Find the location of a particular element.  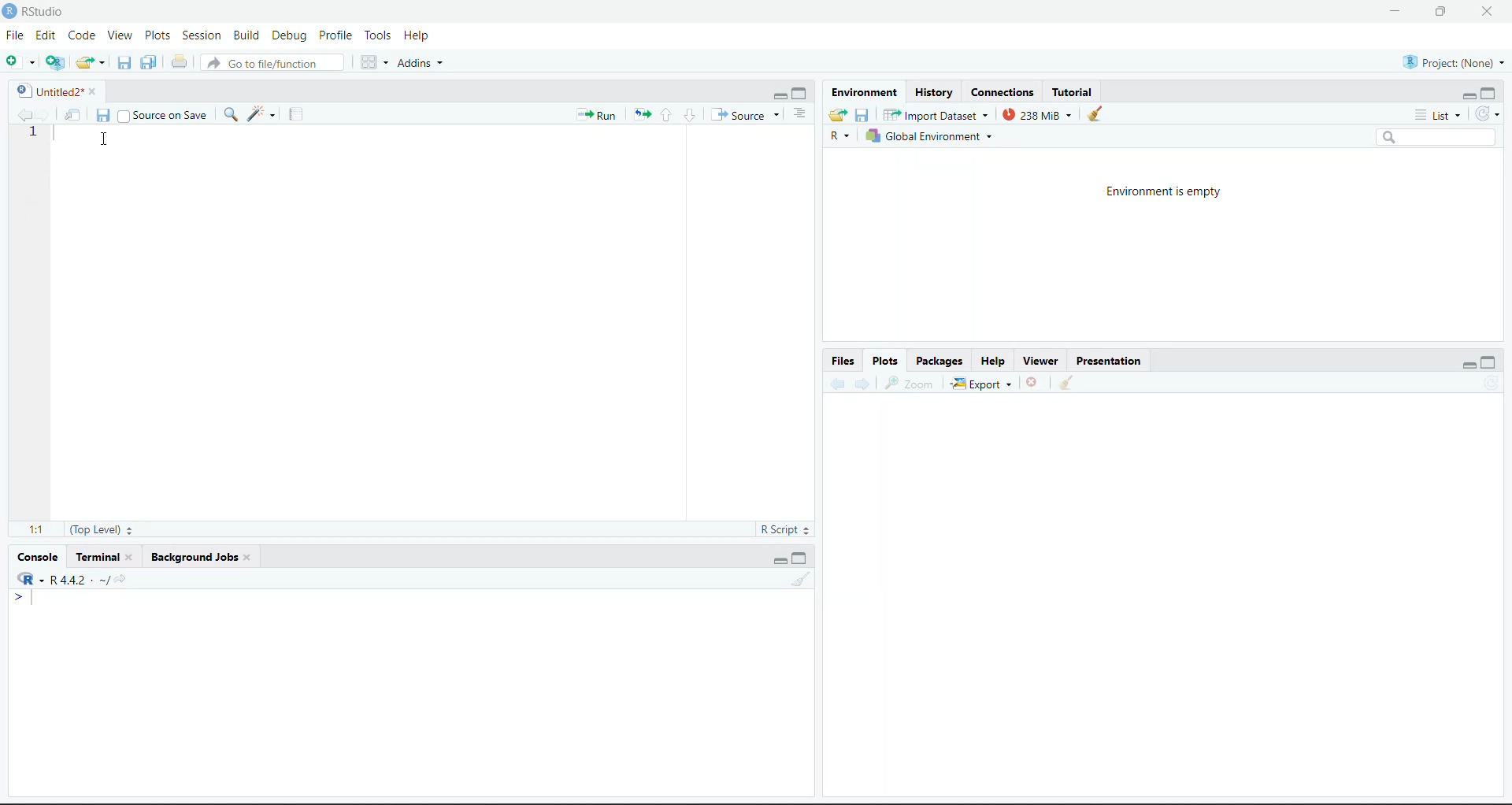

1:1 is located at coordinates (36, 530).